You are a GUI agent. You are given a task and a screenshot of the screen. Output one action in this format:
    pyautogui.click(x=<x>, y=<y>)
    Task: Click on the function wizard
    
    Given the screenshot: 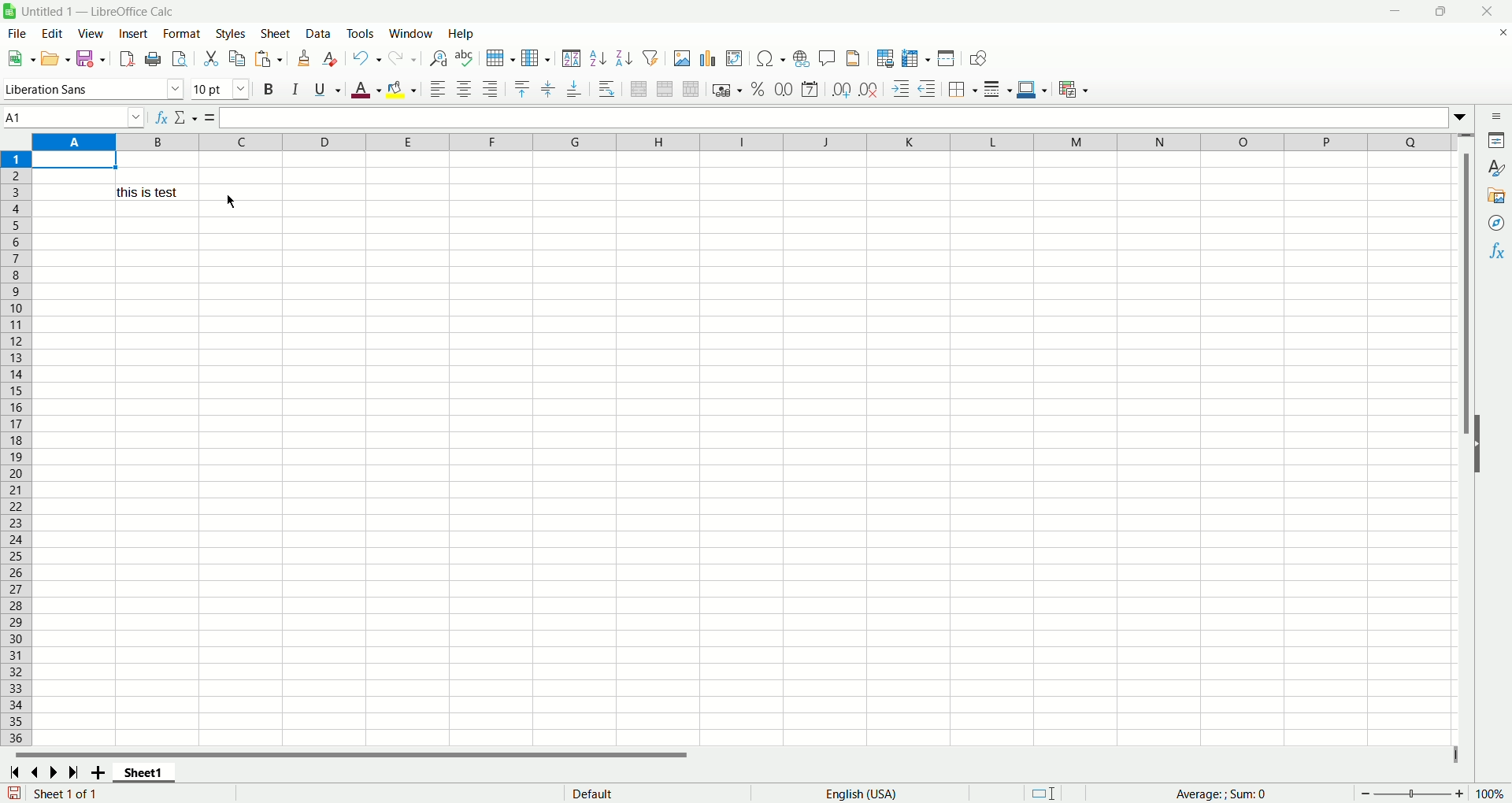 What is the action you would take?
    pyautogui.click(x=161, y=117)
    